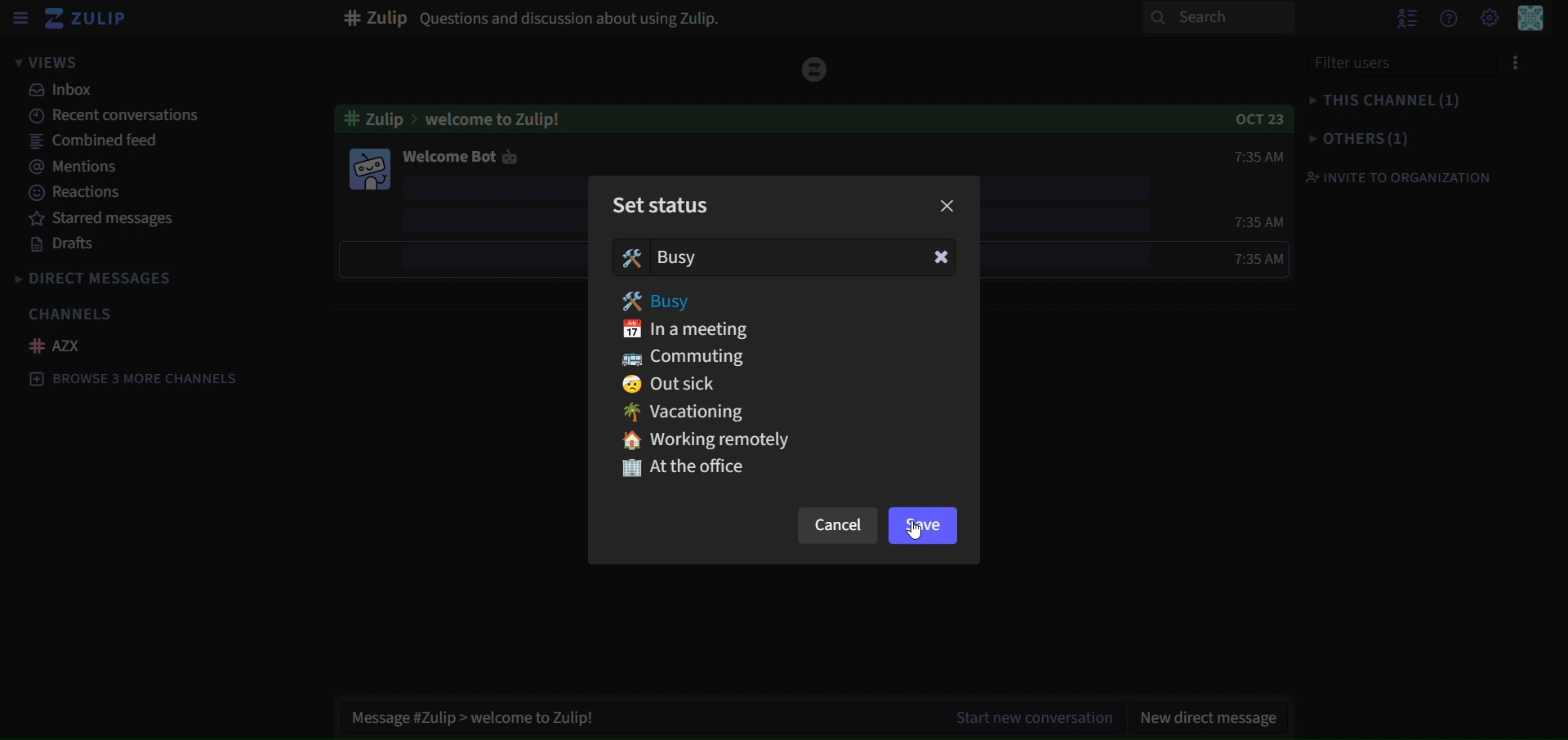  What do you see at coordinates (1228, 257) in the screenshot?
I see `7:35 am` at bounding box center [1228, 257].